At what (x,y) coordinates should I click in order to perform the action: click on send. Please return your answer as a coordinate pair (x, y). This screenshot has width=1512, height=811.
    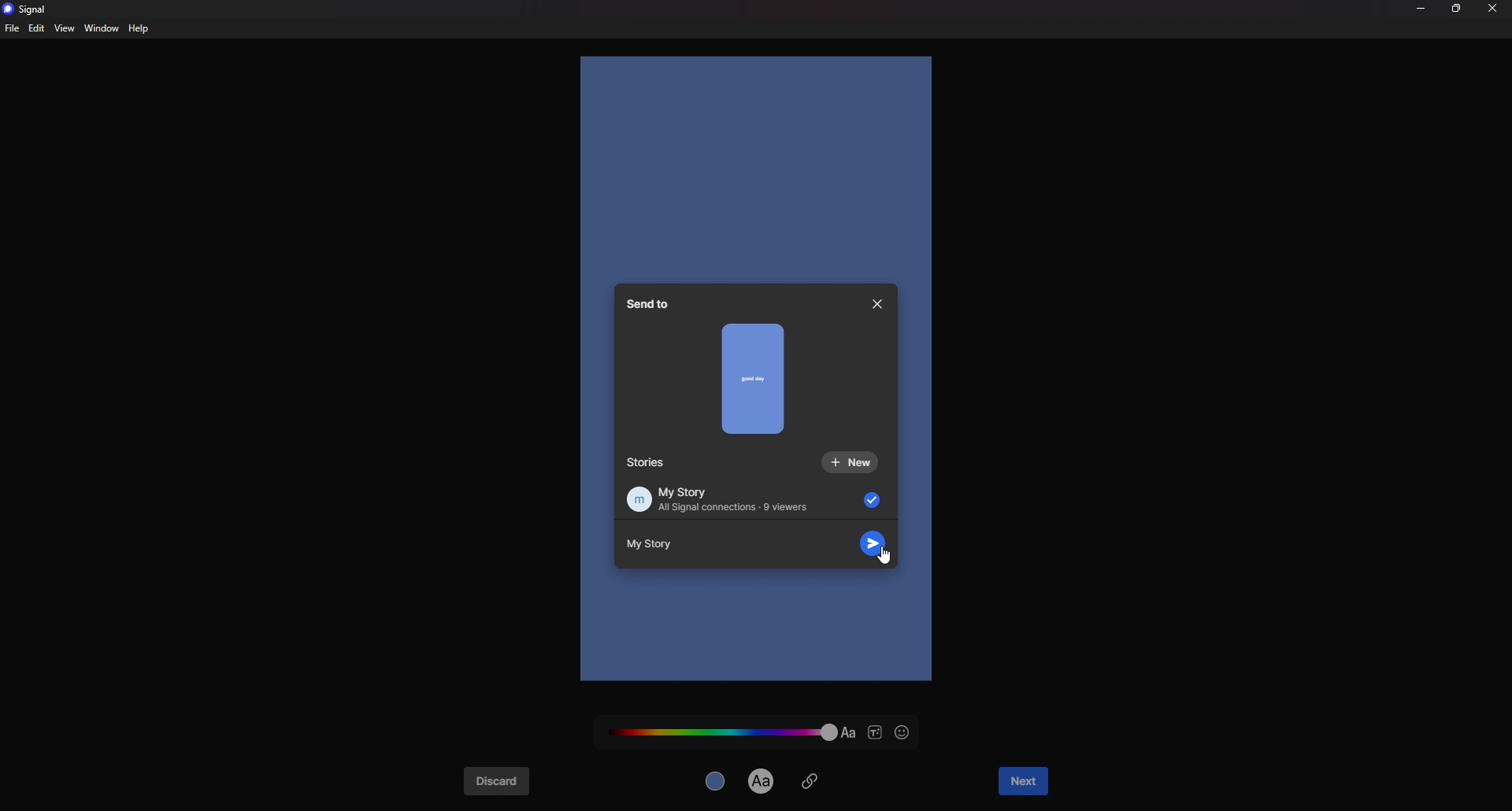
    Looking at the image, I should click on (873, 543).